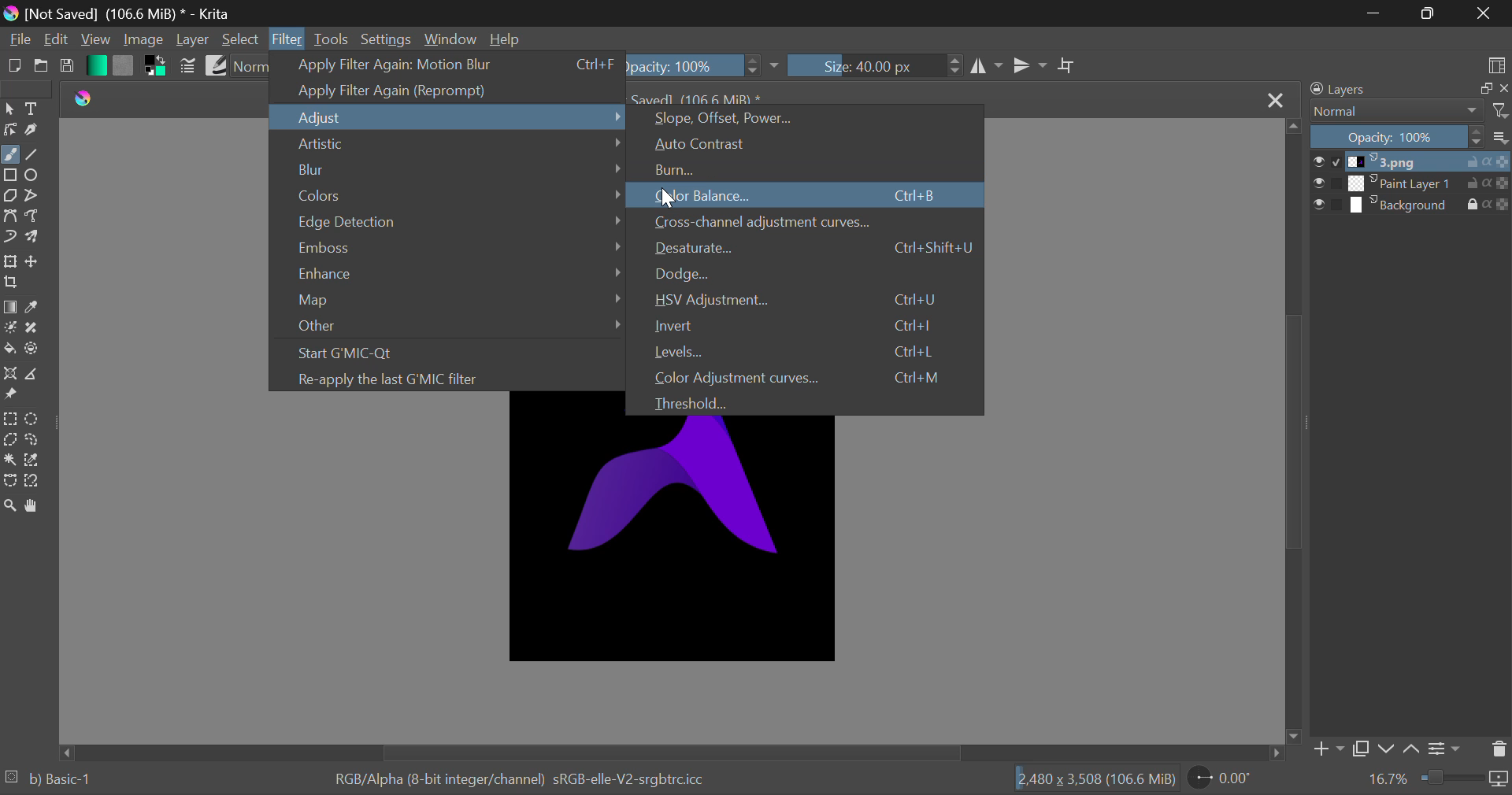 This screenshot has width=1512, height=795. What do you see at coordinates (454, 146) in the screenshot?
I see `Artistic` at bounding box center [454, 146].